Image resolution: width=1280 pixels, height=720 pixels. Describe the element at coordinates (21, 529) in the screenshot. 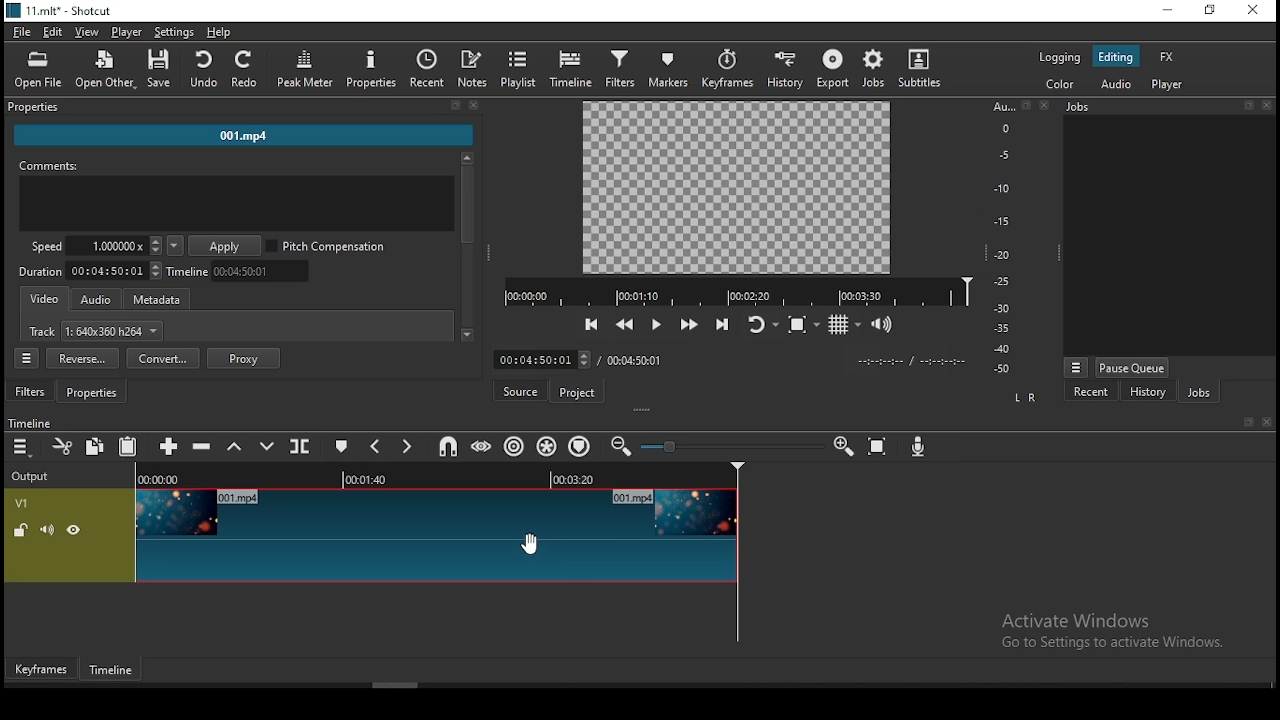

I see `(un)lock` at that location.